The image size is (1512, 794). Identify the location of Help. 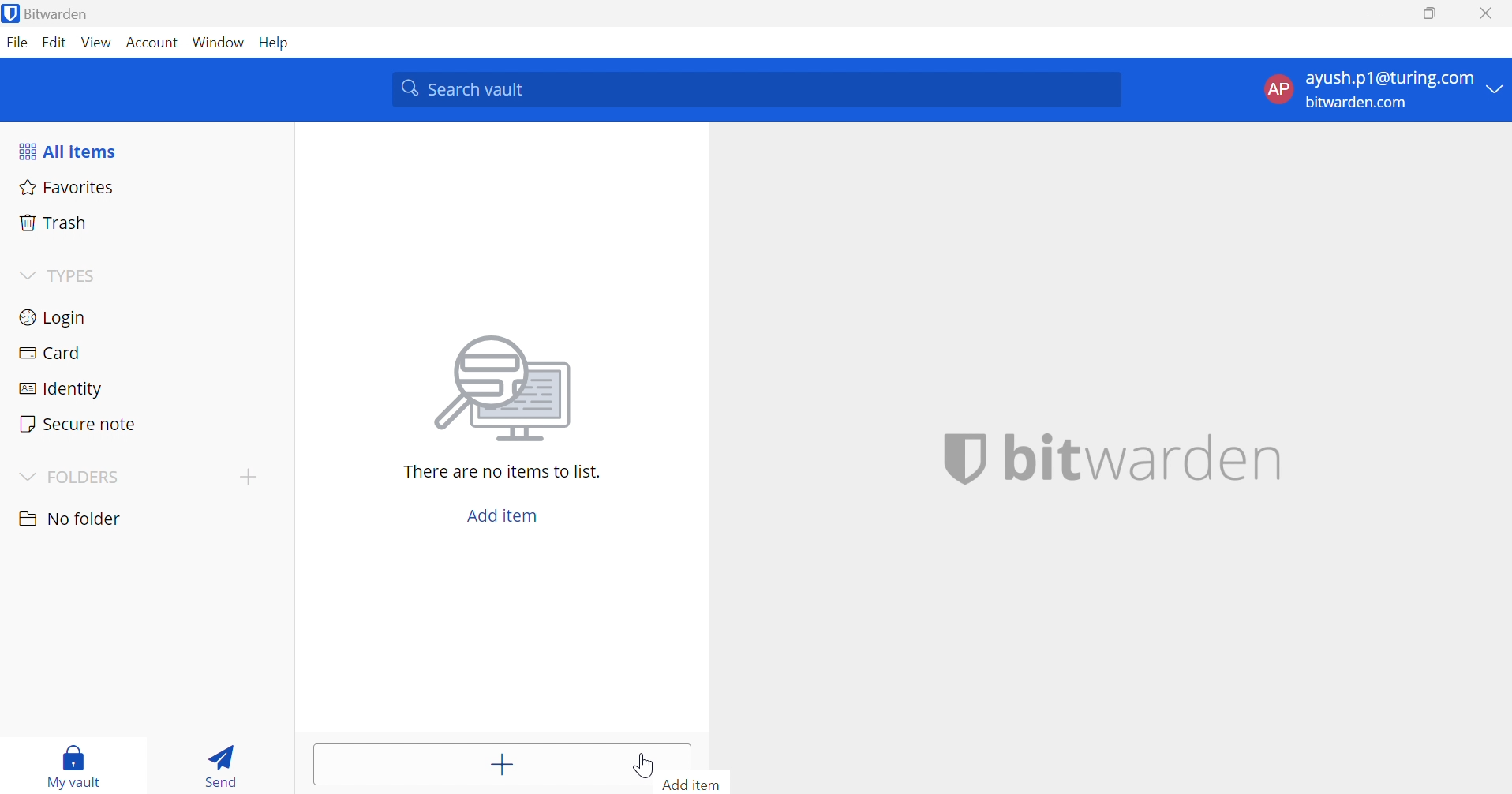
(276, 43).